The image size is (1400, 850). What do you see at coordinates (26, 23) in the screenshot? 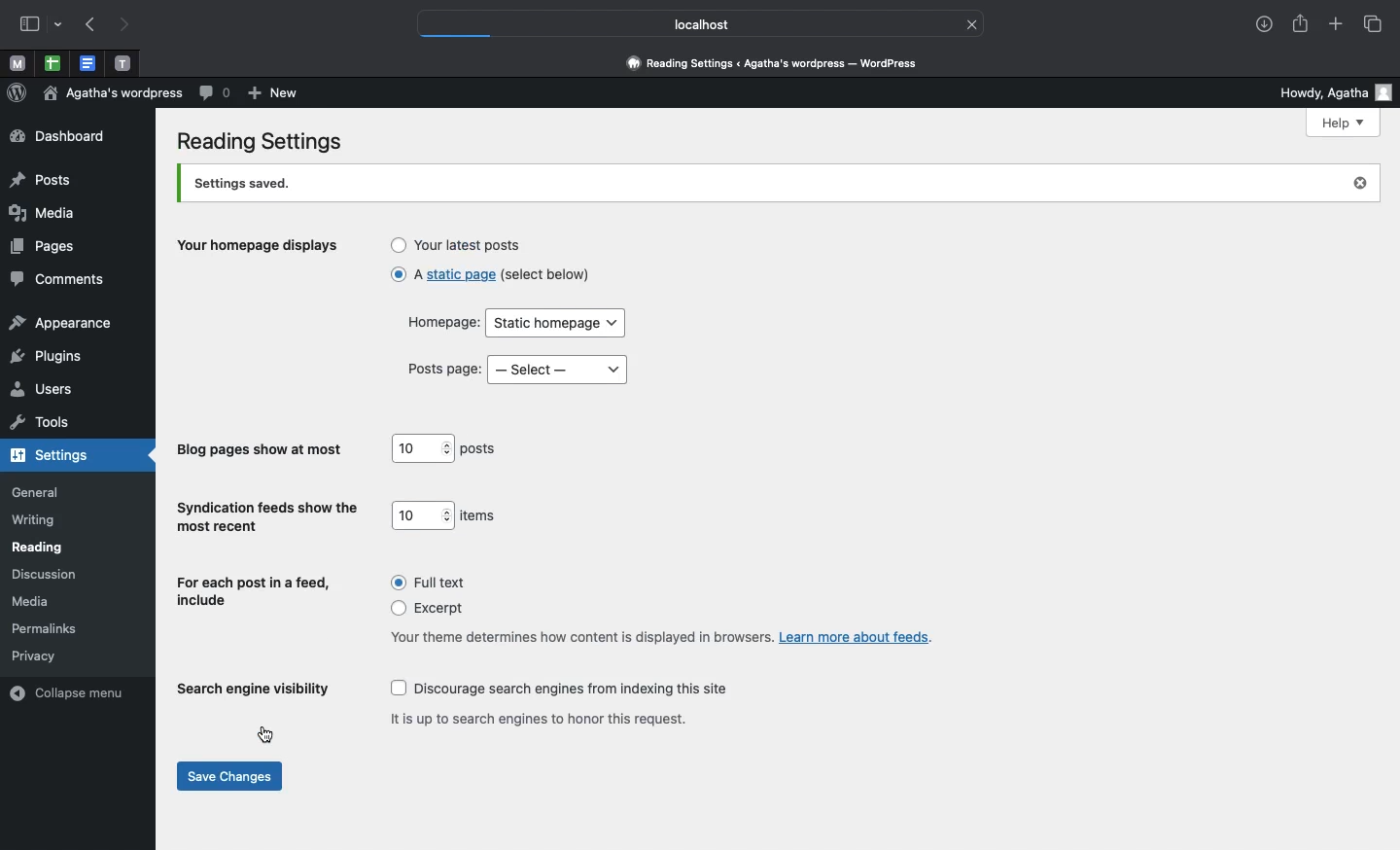
I see `Sidebar` at bounding box center [26, 23].